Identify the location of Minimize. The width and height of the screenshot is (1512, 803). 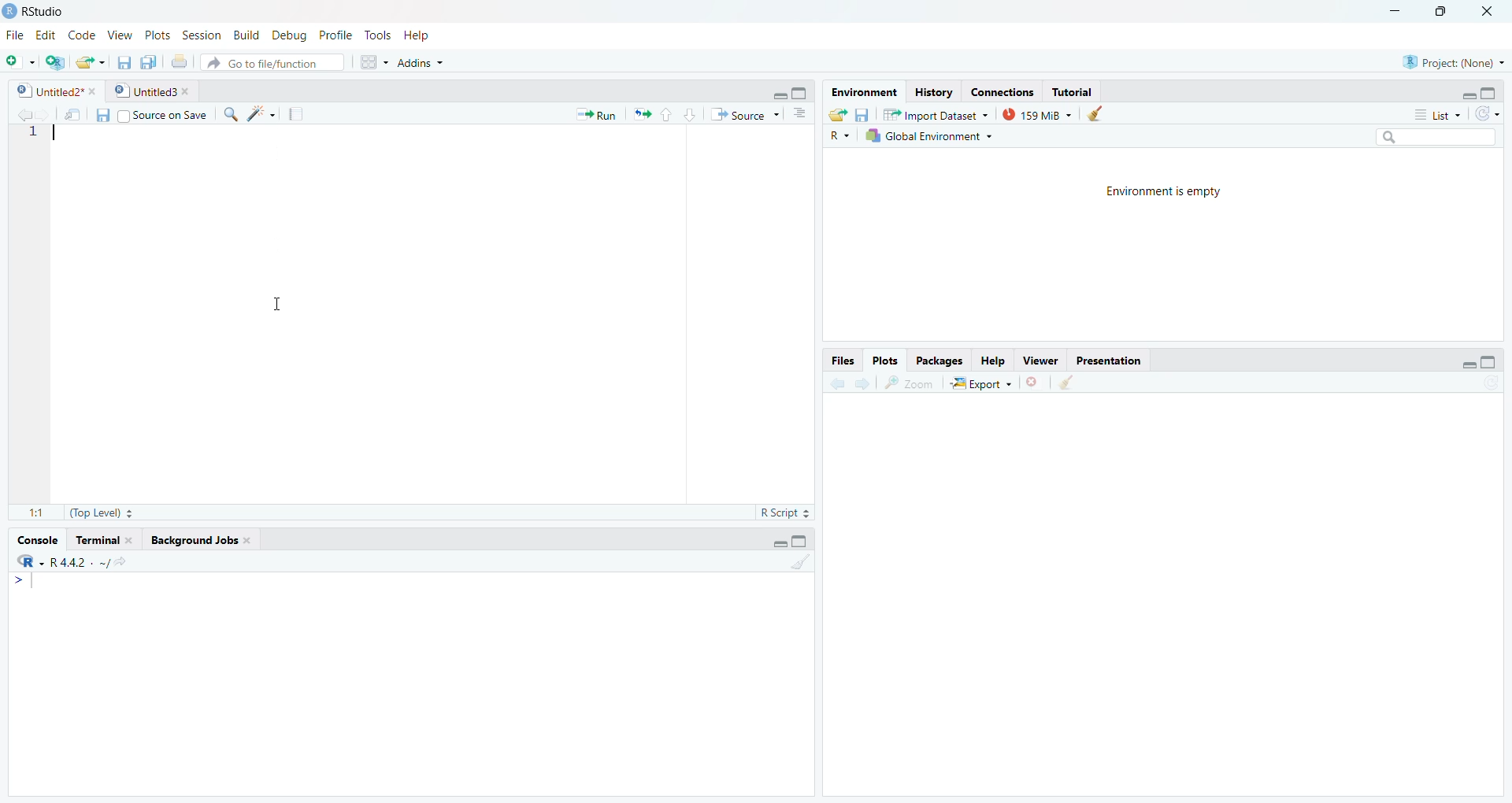
(1466, 93).